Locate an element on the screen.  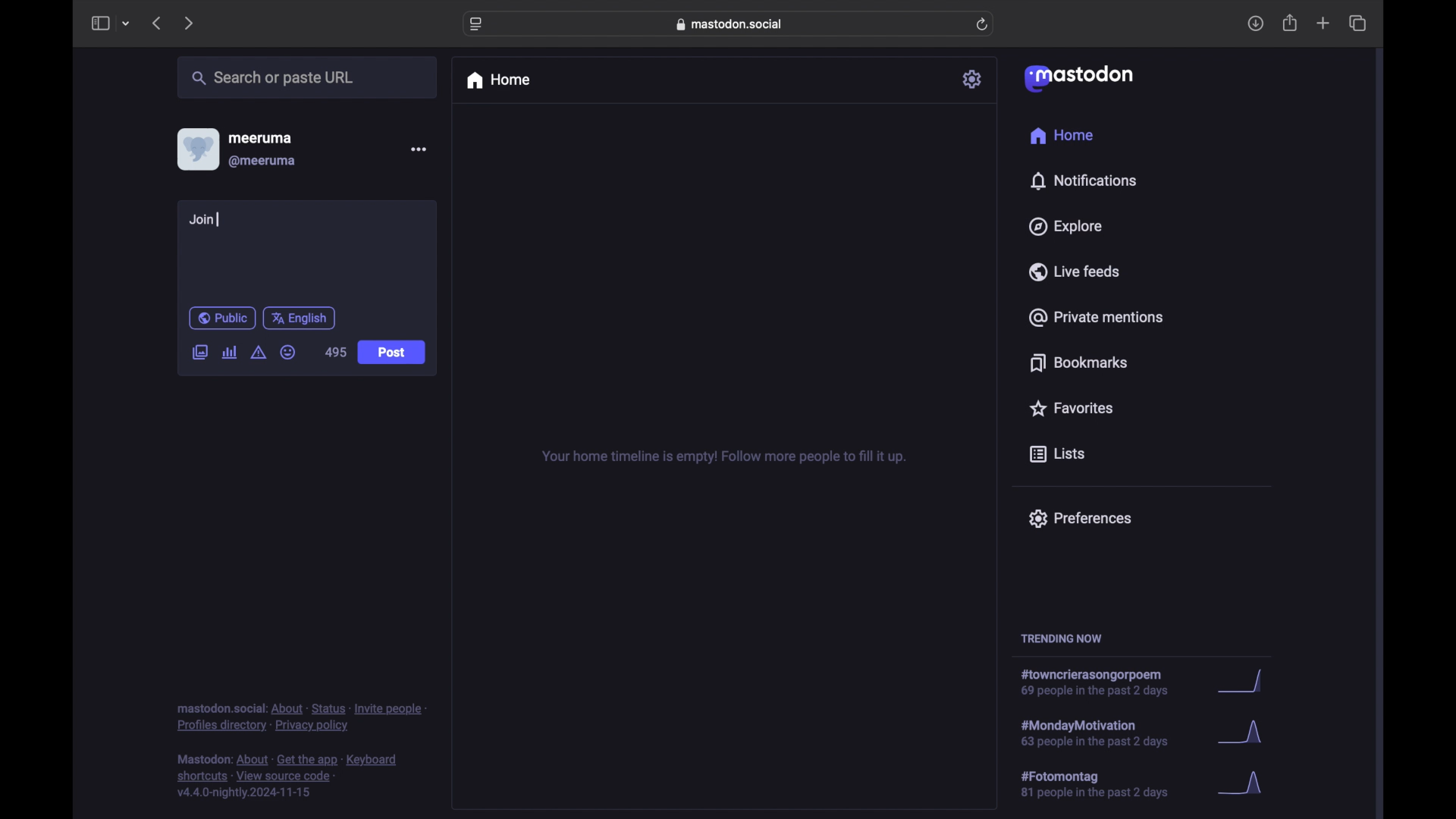
website settings is located at coordinates (478, 24).